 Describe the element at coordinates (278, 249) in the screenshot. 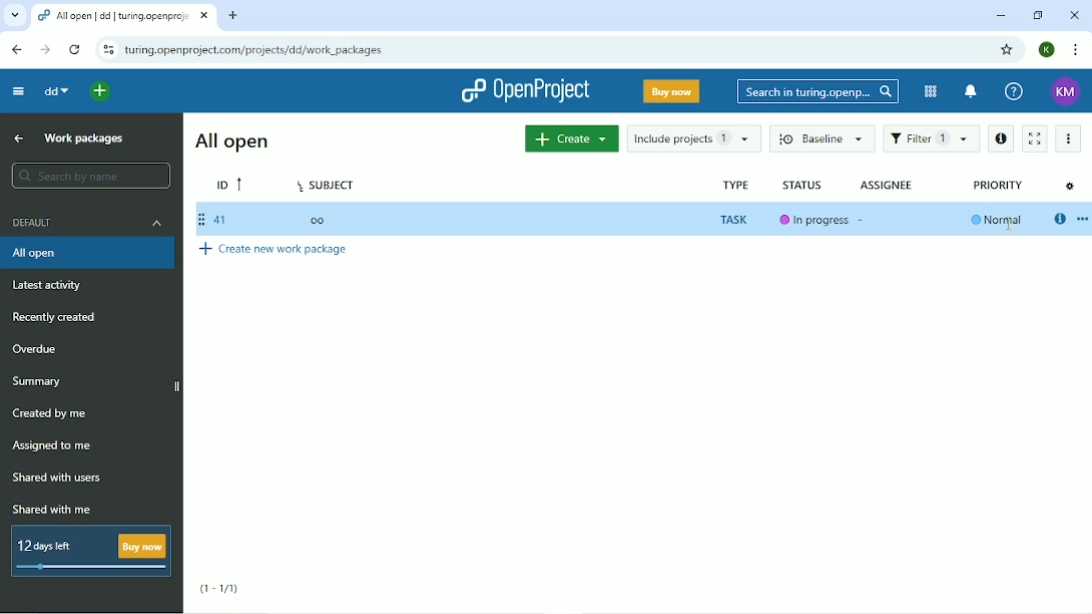

I see `Create new work package` at that location.